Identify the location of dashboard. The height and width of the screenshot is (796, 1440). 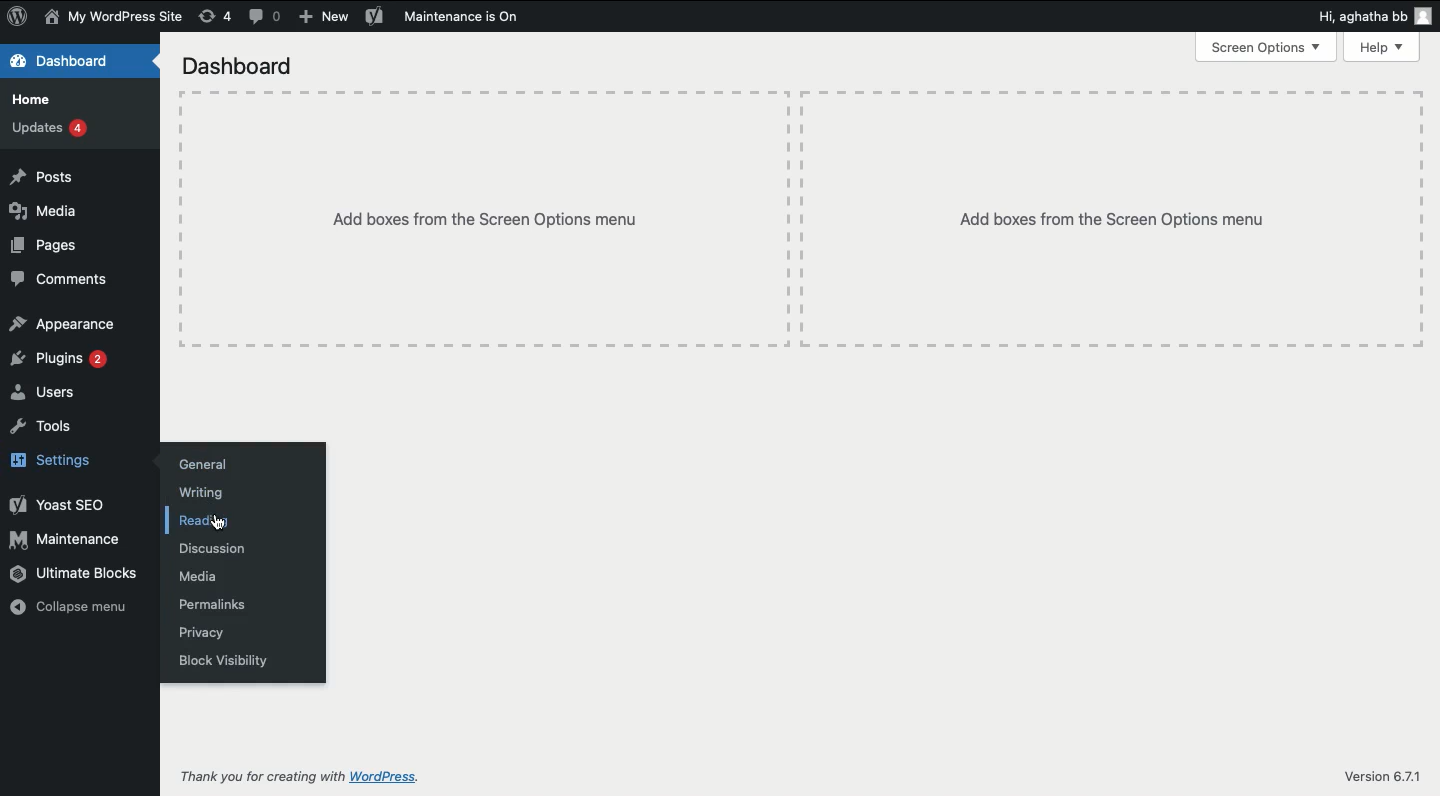
(241, 67).